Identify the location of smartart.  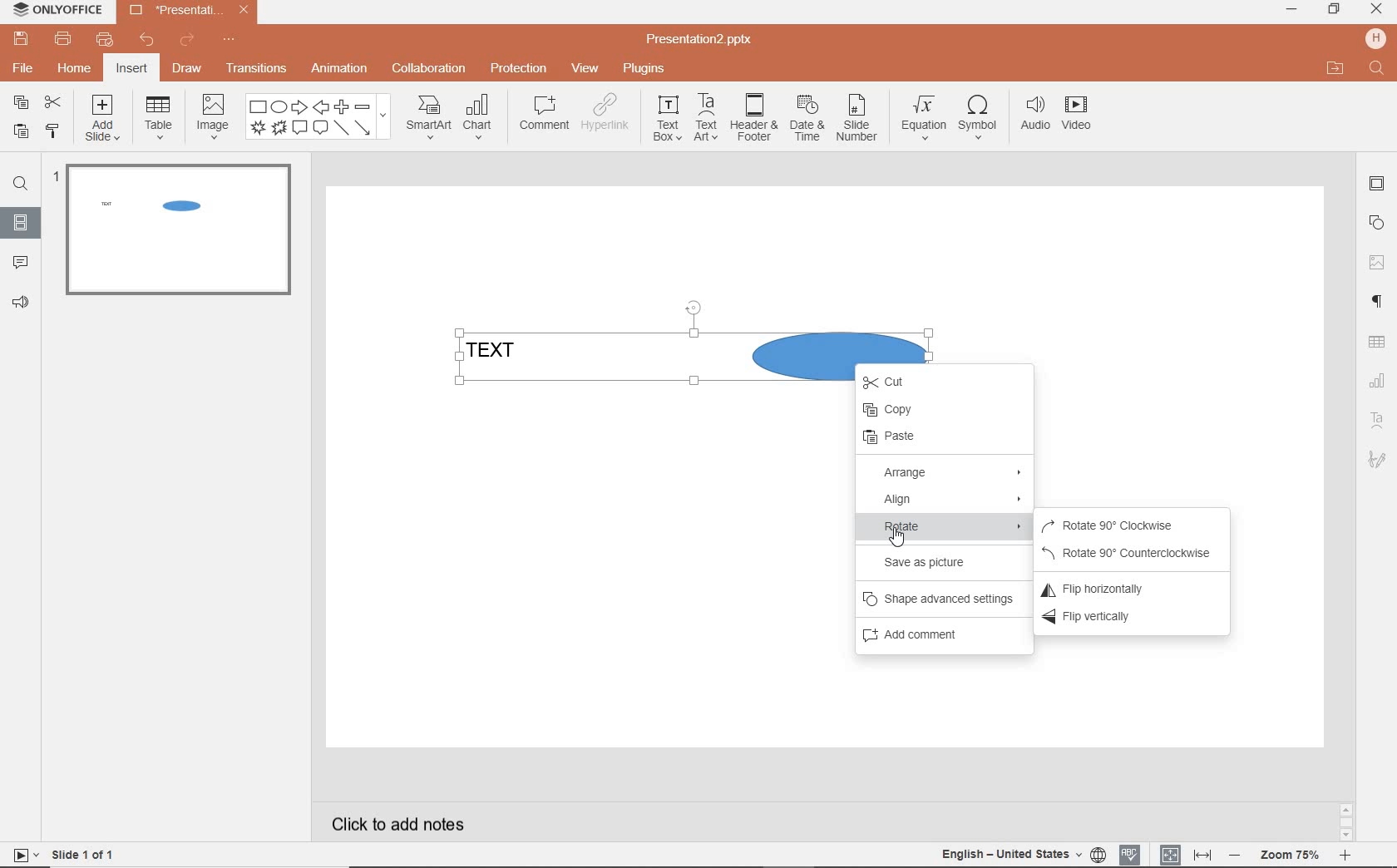
(428, 116).